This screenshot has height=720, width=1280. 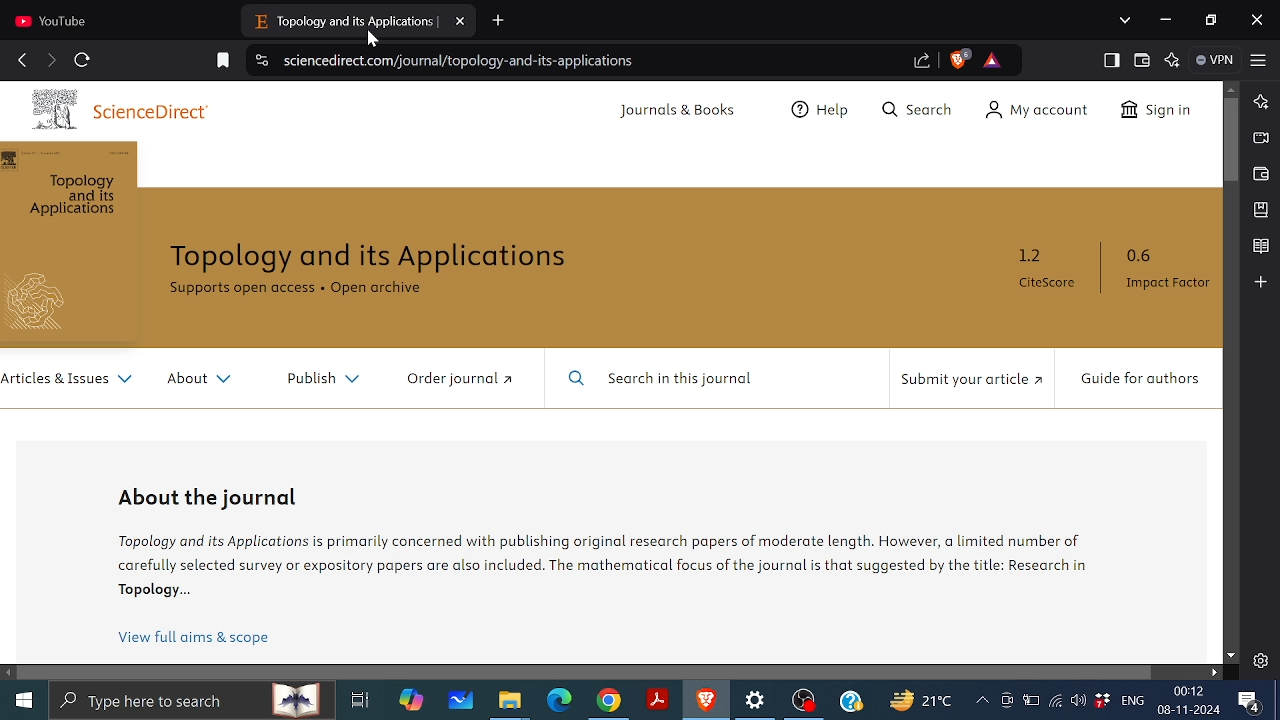 What do you see at coordinates (461, 700) in the screenshot?
I see `Whiteboard` at bounding box center [461, 700].